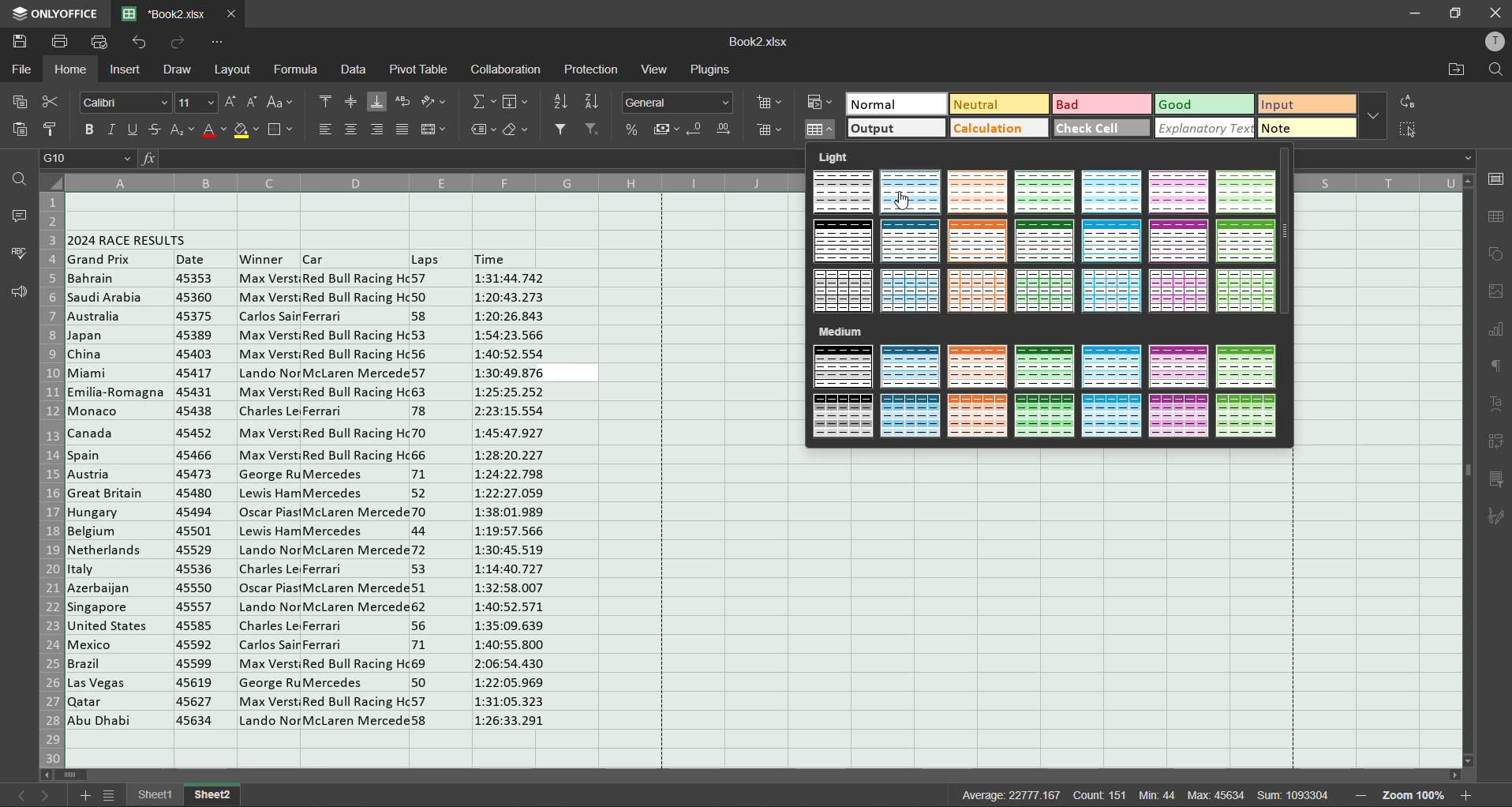  Describe the element at coordinates (1415, 795) in the screenshot. I see `zoom factor` at that location.